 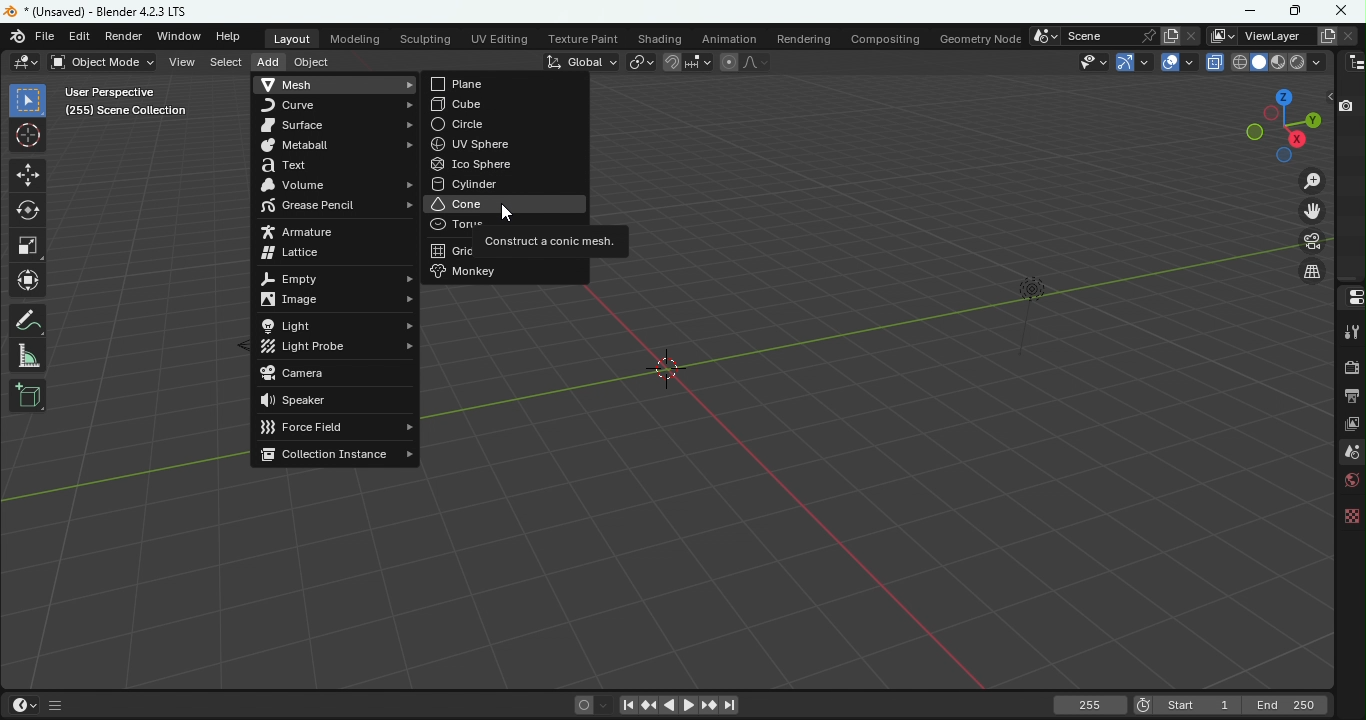 What do you see at coordinates (660, 36) in the screenshot?
I see `Shading` at bounding box center [660, 36].